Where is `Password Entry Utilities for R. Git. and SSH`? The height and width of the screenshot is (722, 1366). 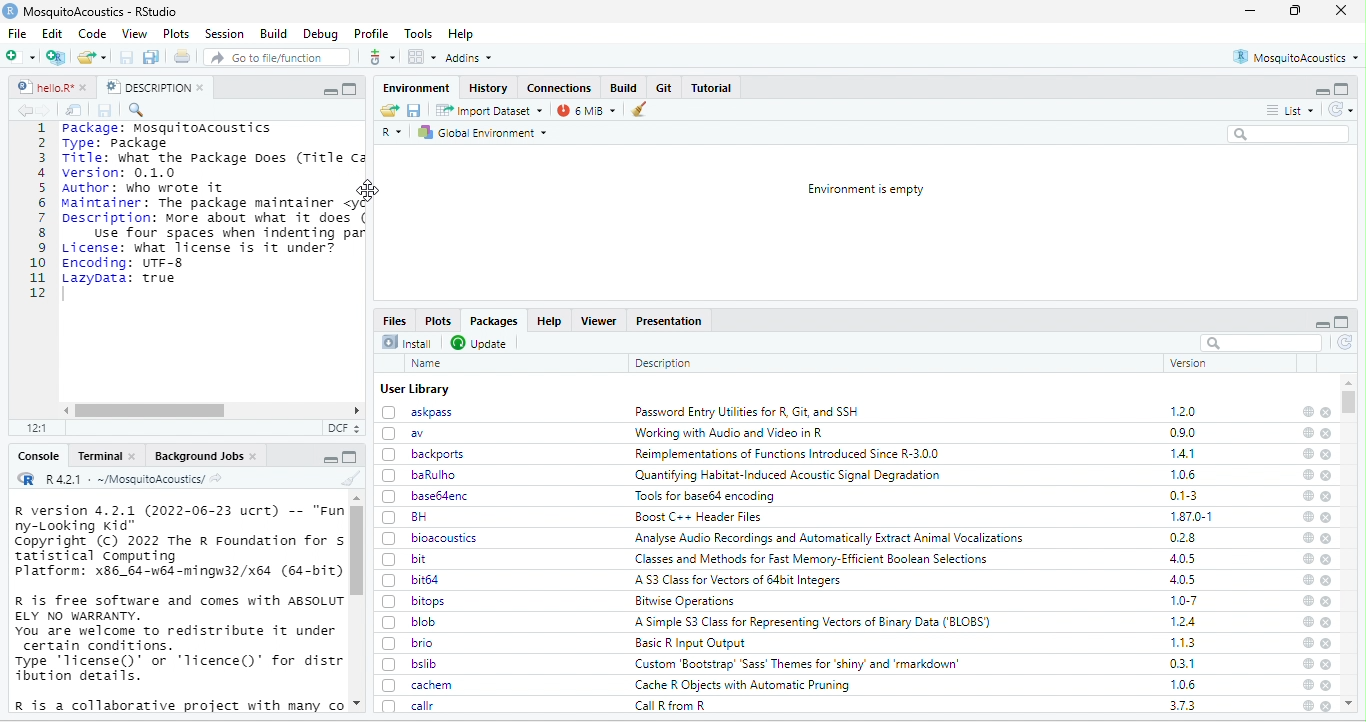 Password Entry Utilities for R. Git. and SSH is located at coordinates (747, 411).